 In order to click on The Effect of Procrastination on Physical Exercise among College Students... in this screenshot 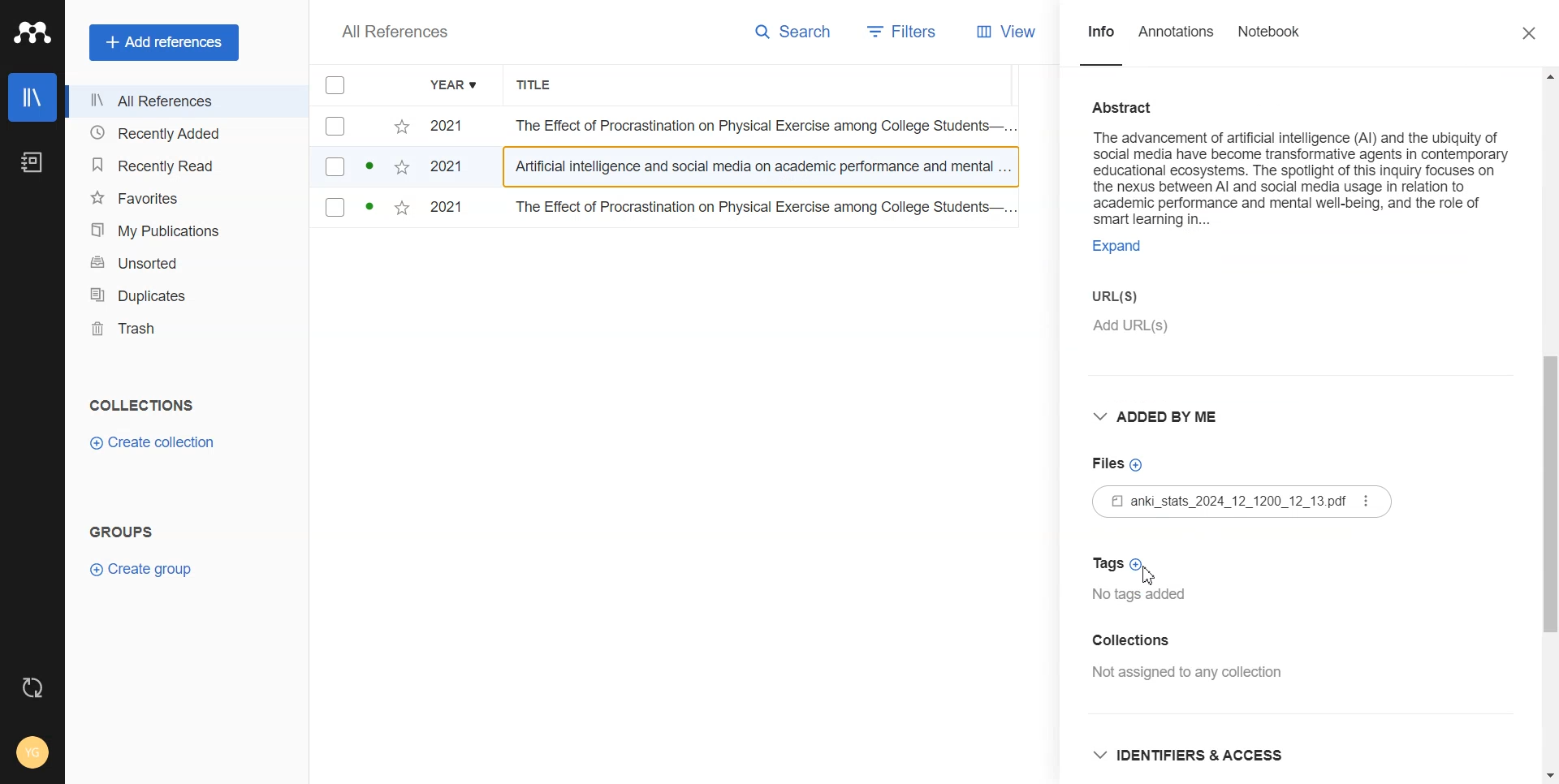, I will do `click(758, 127)`.